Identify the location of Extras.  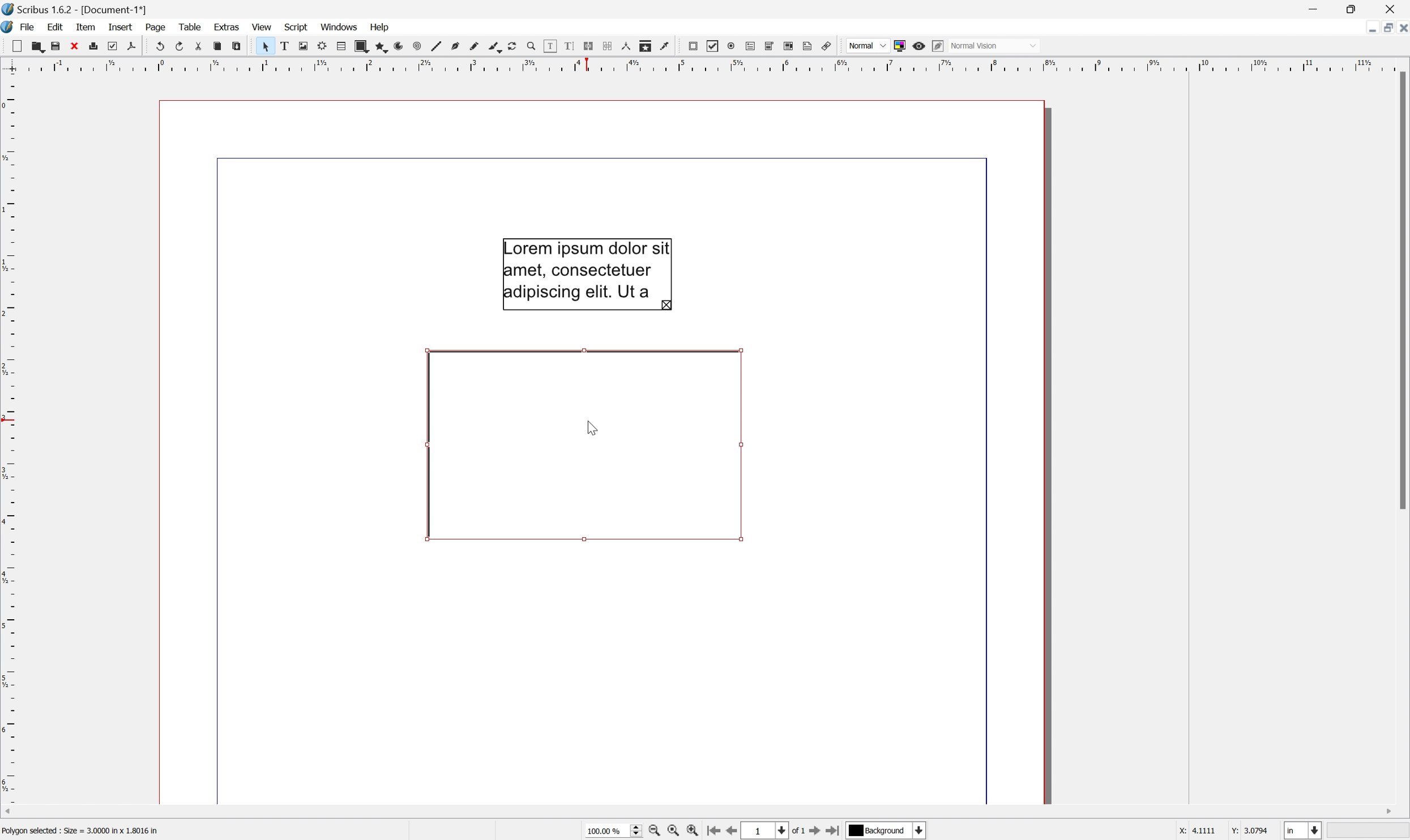
(227, 28).